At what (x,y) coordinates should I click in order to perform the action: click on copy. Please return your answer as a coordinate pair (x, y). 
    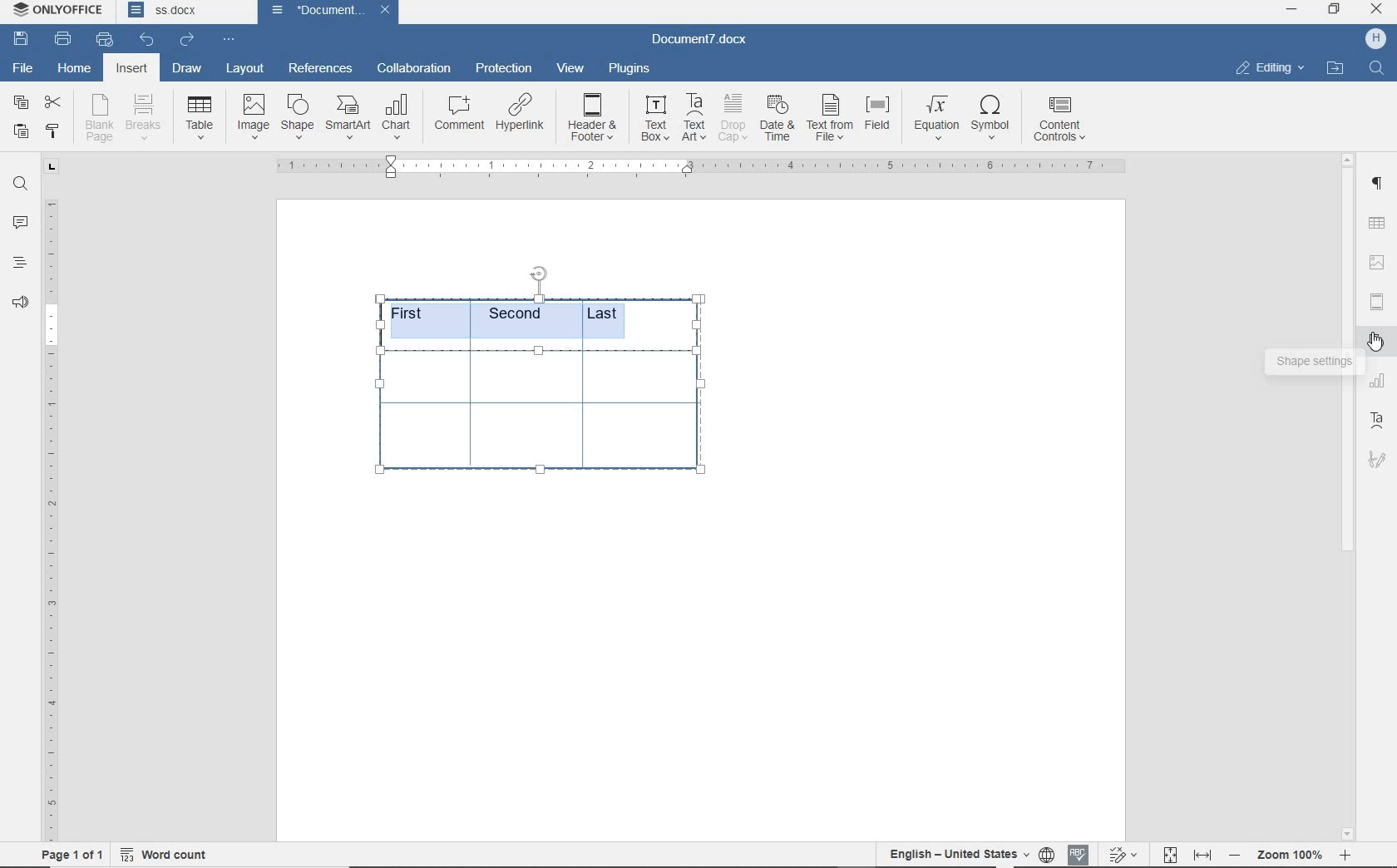
    Looking at the image, I should click on (20, 104).